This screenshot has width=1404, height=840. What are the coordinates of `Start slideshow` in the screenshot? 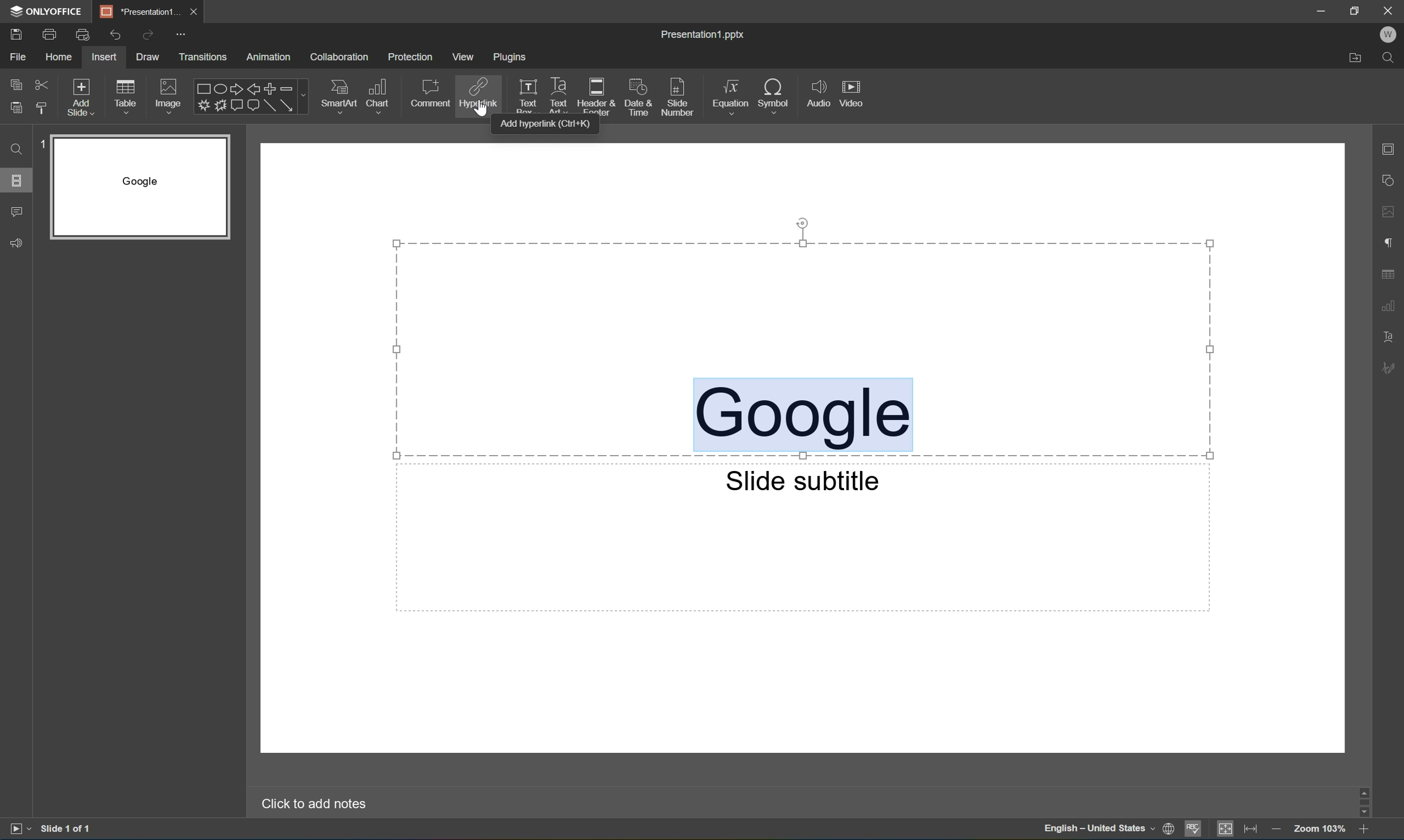 It's located at (16, 832).